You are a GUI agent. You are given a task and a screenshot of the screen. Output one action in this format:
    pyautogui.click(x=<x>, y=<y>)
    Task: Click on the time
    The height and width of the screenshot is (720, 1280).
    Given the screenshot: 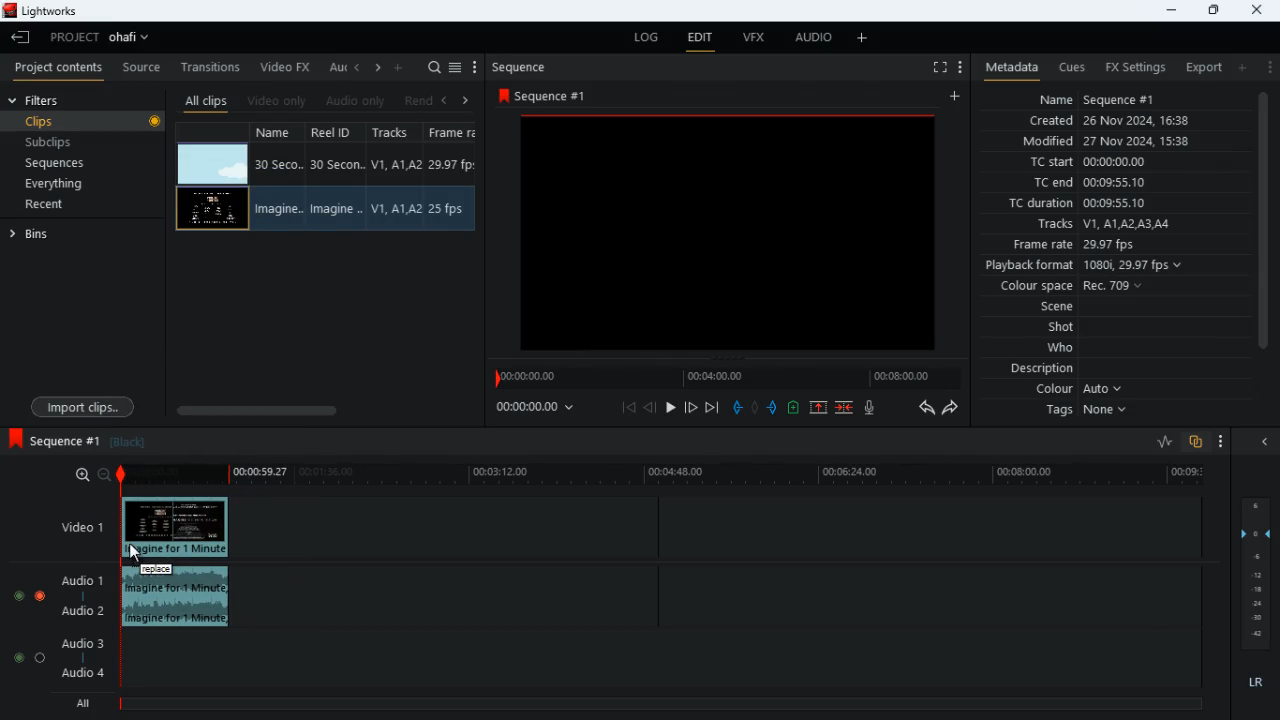 What is the action you would take?
    pyautogui.click(x=662, y=475)
    